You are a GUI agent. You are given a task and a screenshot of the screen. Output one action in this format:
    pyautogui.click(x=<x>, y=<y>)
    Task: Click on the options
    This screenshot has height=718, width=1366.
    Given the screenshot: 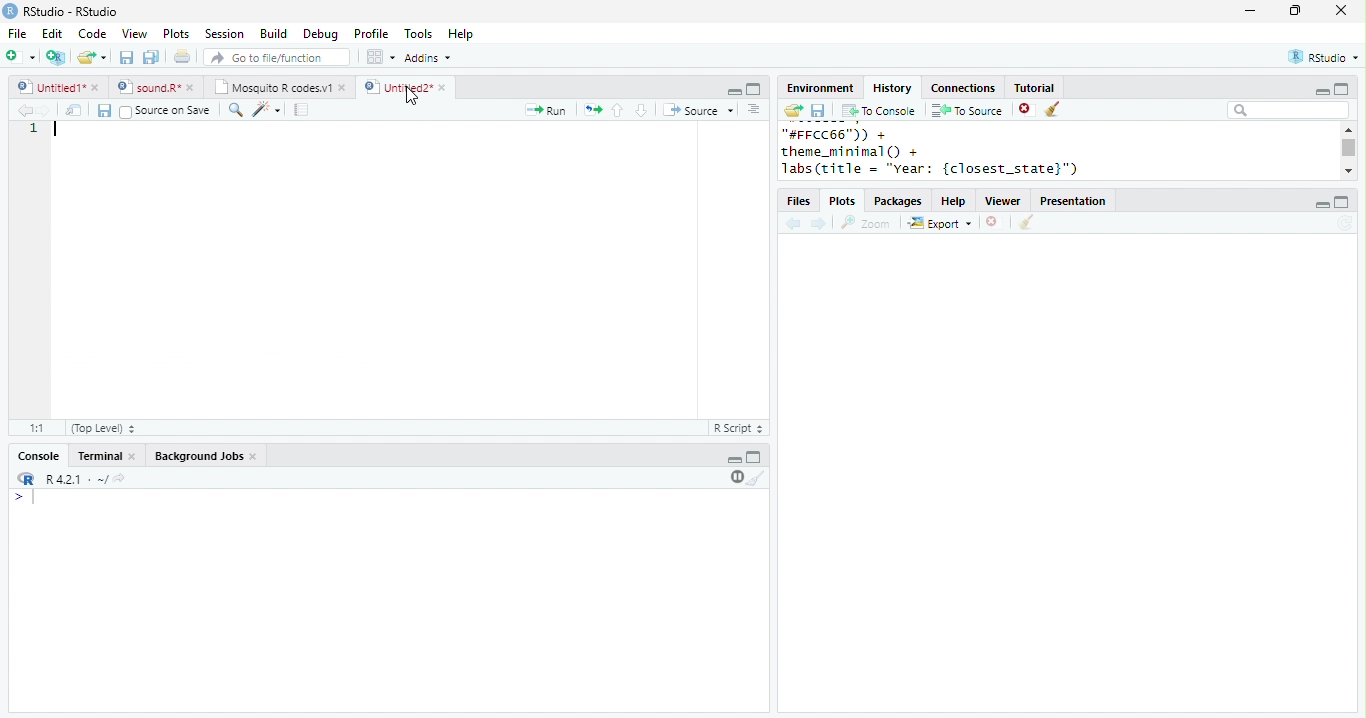 What is the action you would take?
    pyautogui.click(x=379, y=57)
    